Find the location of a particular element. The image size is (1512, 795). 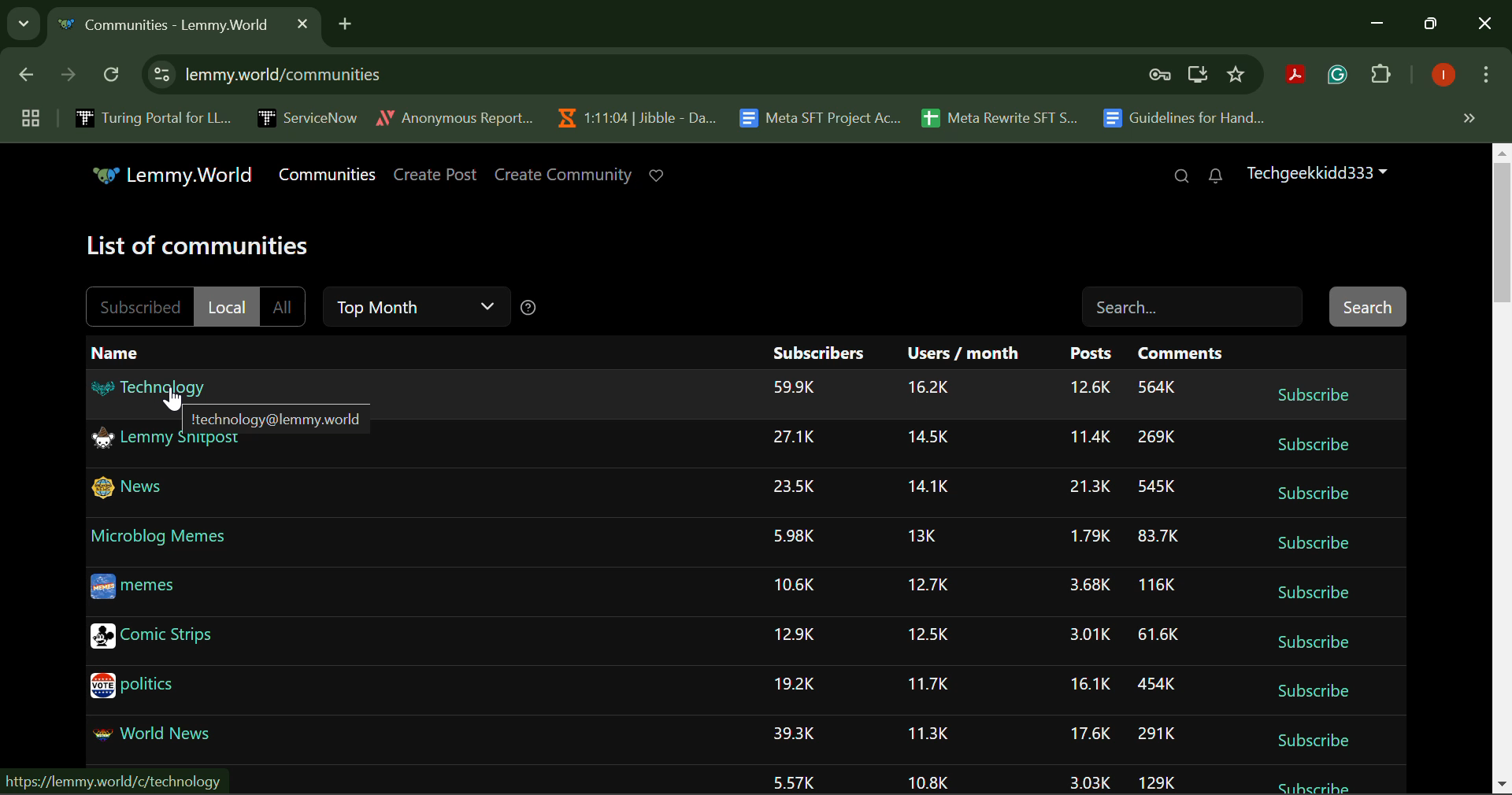

Comic Strips Community Link is located at coordinates (158, 638).